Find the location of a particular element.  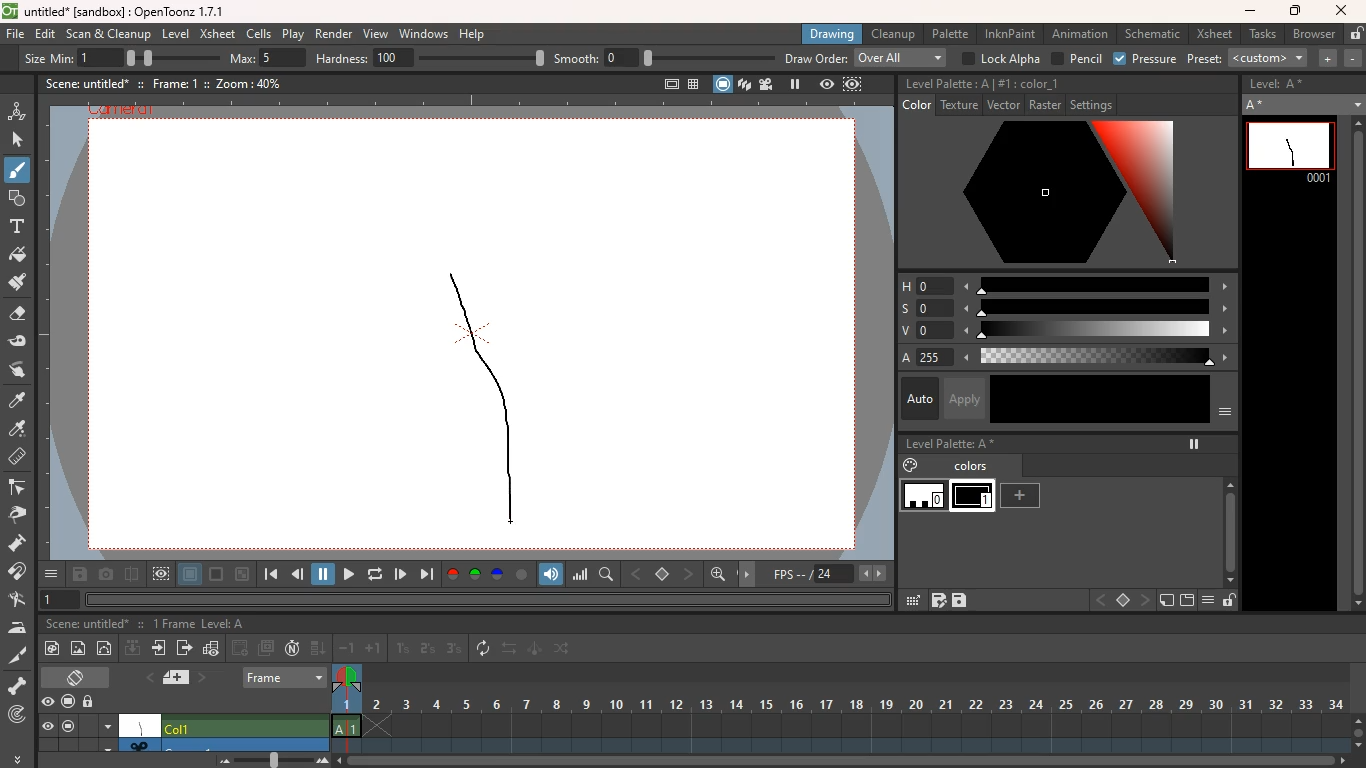

camera is located at coordinates (106, 575).